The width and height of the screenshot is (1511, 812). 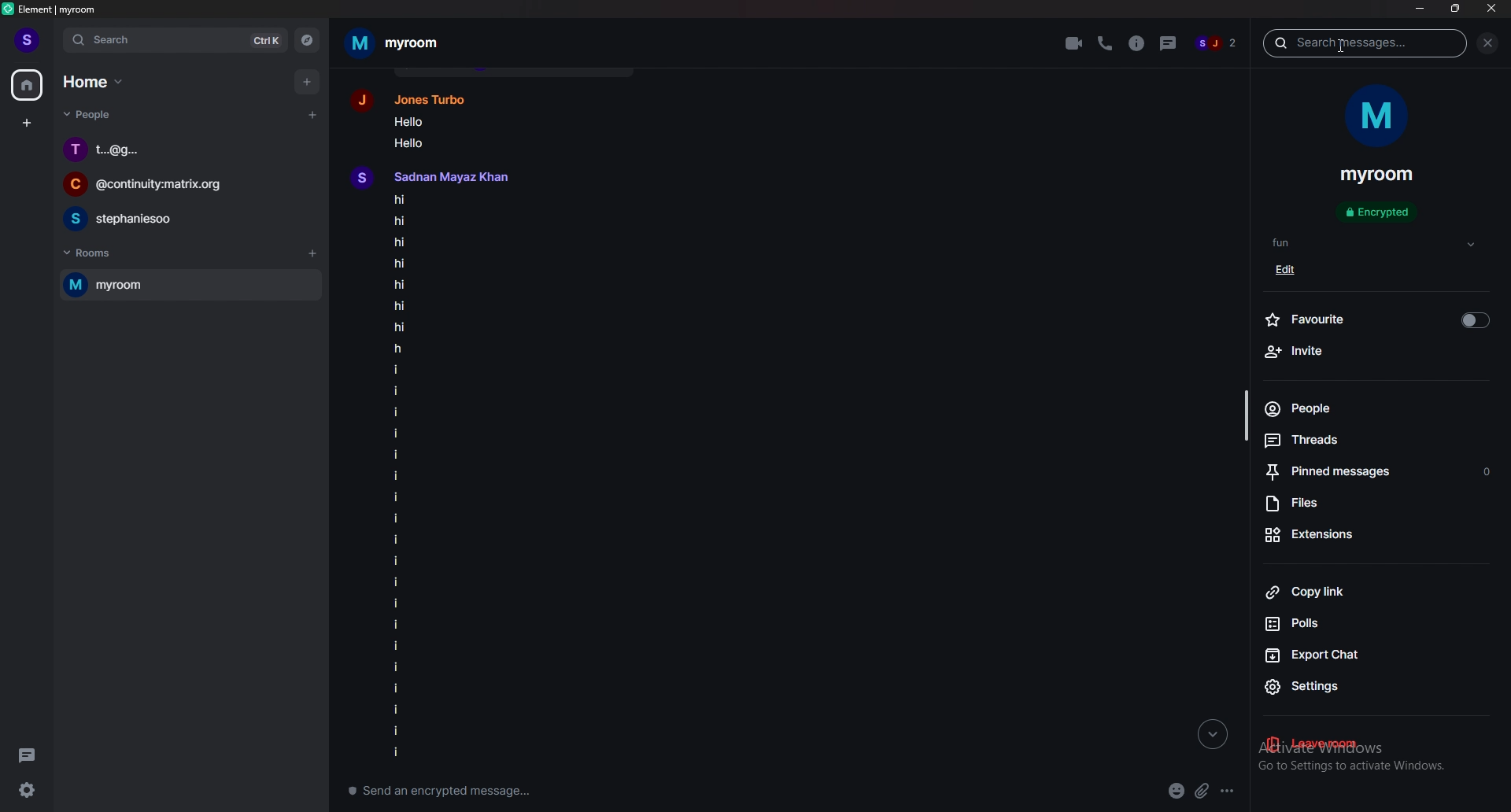 I want to click on emoji, so click(x=1178, y=792).